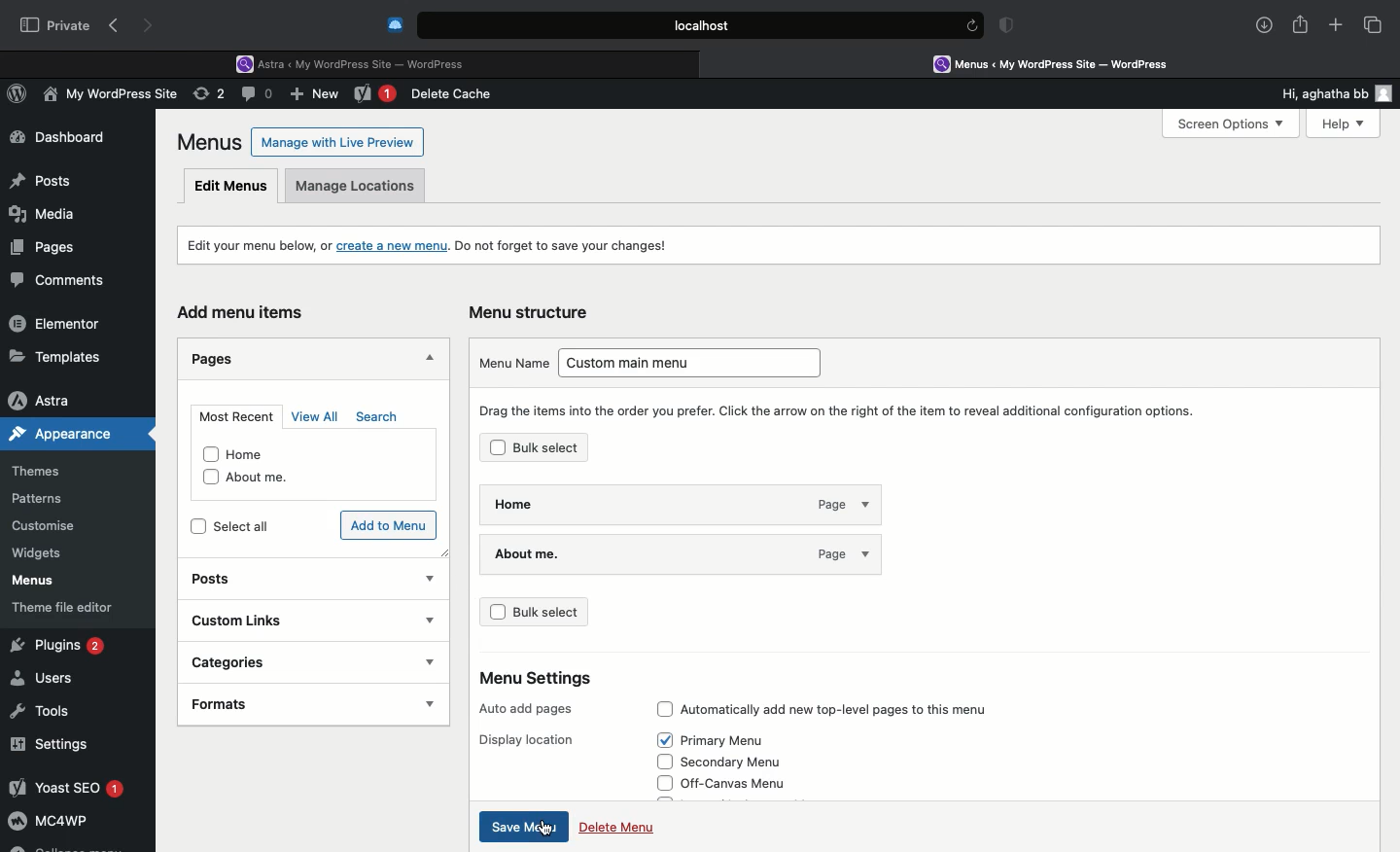  Describe the element at coordinates (229, 581) in the screenshot. I see `Posts` at that location.